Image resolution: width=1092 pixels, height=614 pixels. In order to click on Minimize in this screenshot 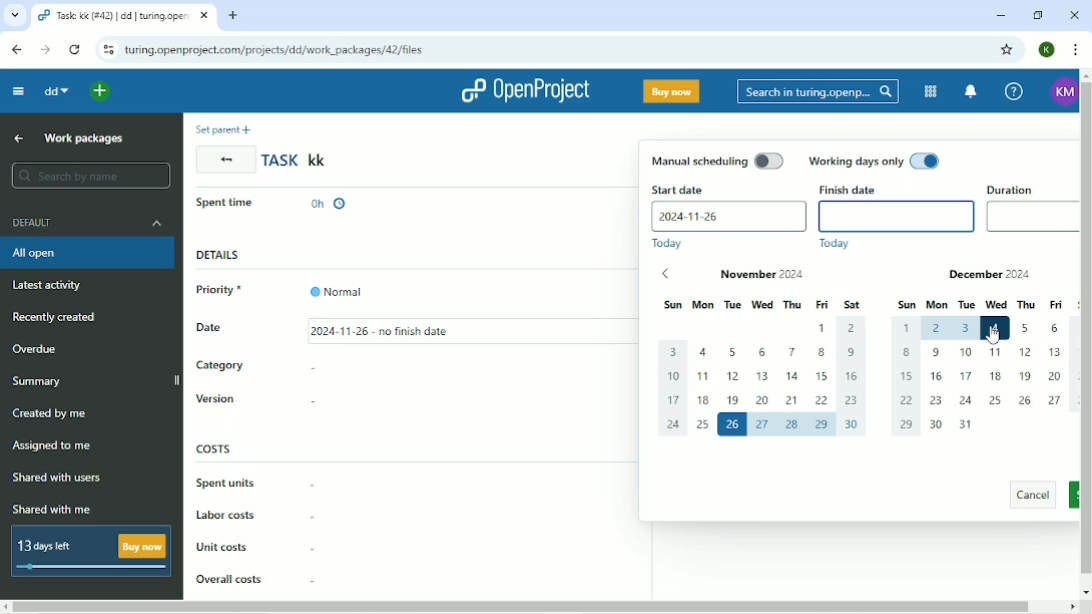, I will do `click(997, 16)`.